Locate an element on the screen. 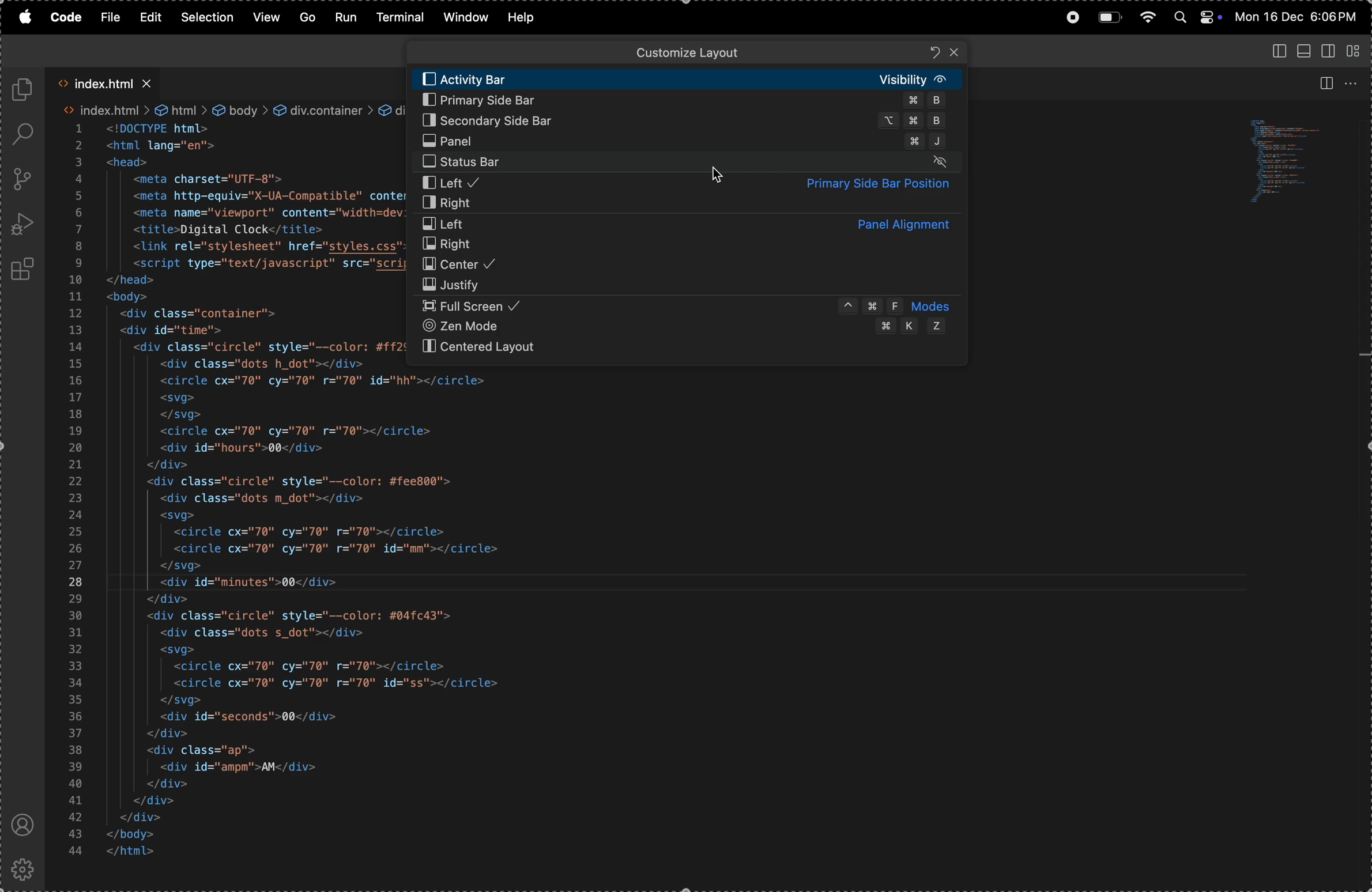  edit is located at coordinates (151, 18).